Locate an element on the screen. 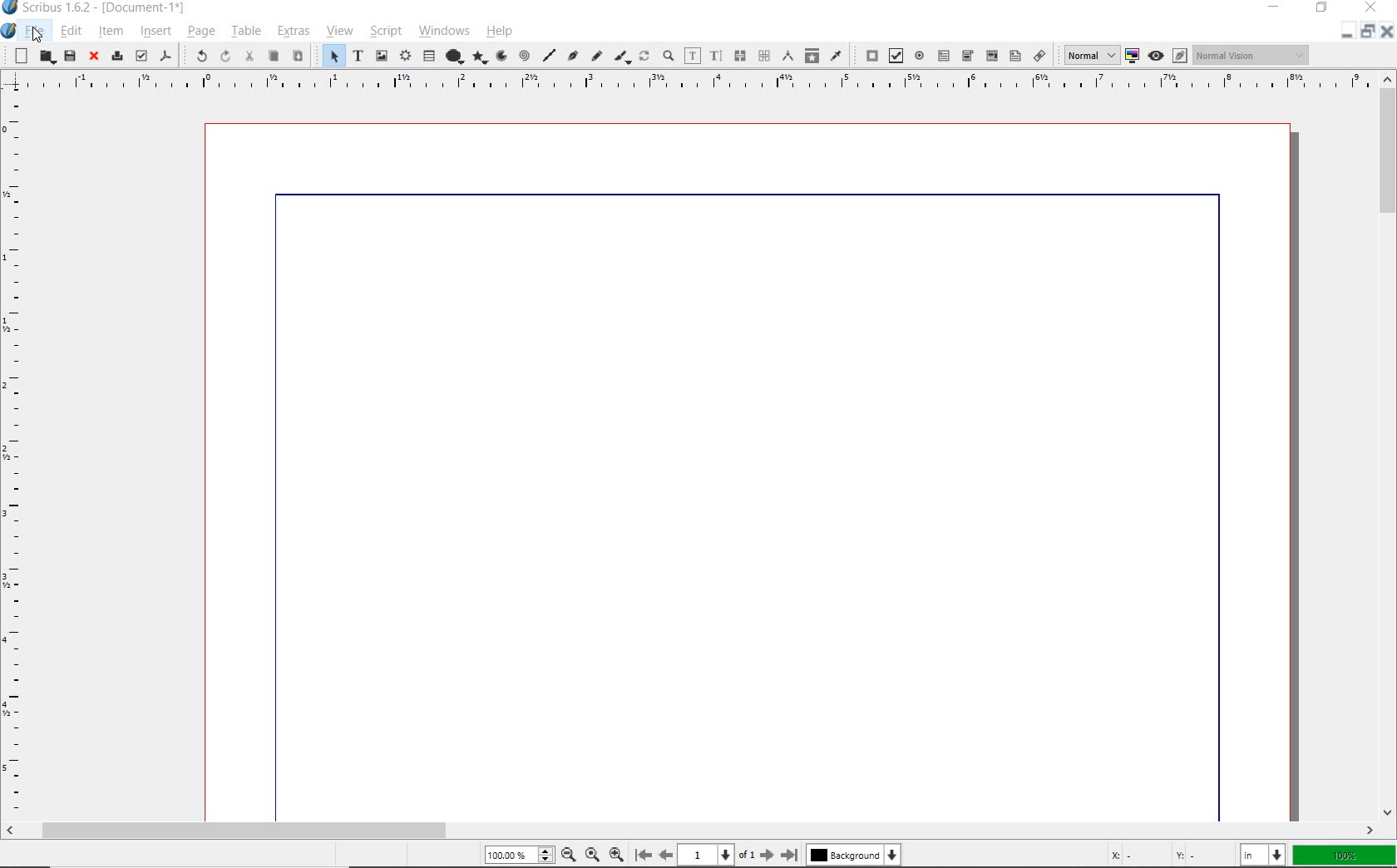 This screenshot has width=1397, height=868. copy is located at coordinates (274, 56).